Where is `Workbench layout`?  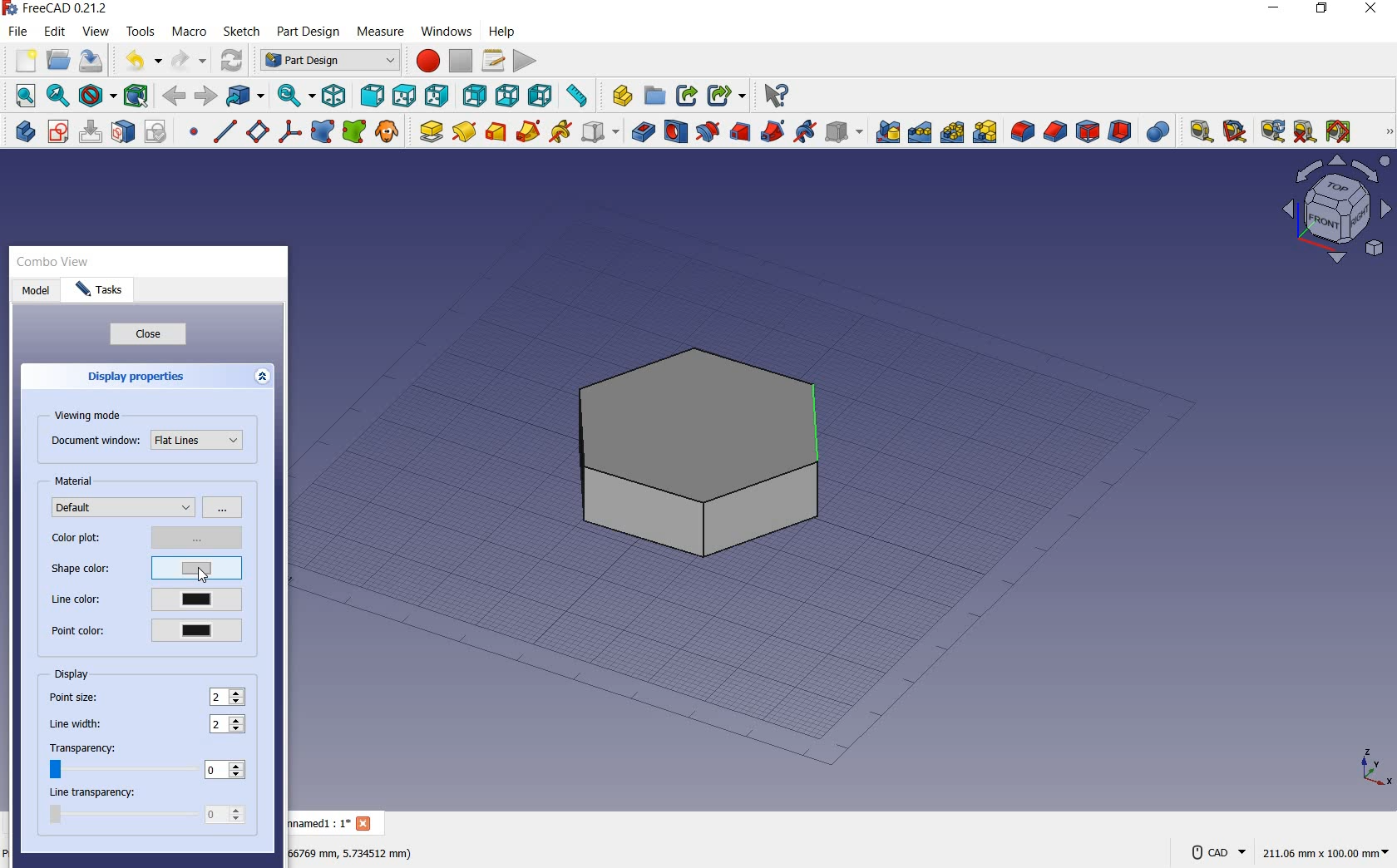 Workbench layout is located at coordinates (1297, 216).